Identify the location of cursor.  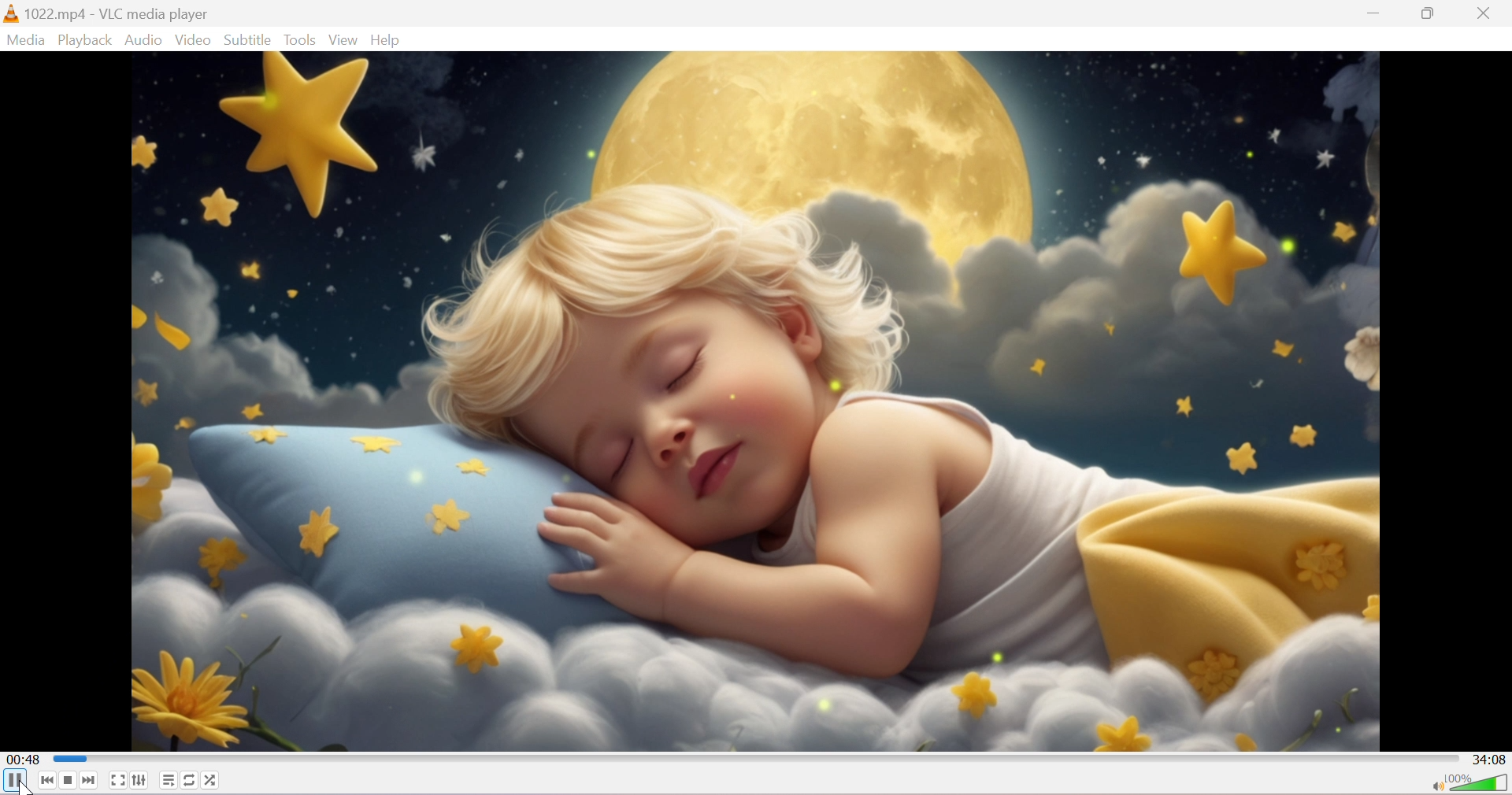
(31, 789).